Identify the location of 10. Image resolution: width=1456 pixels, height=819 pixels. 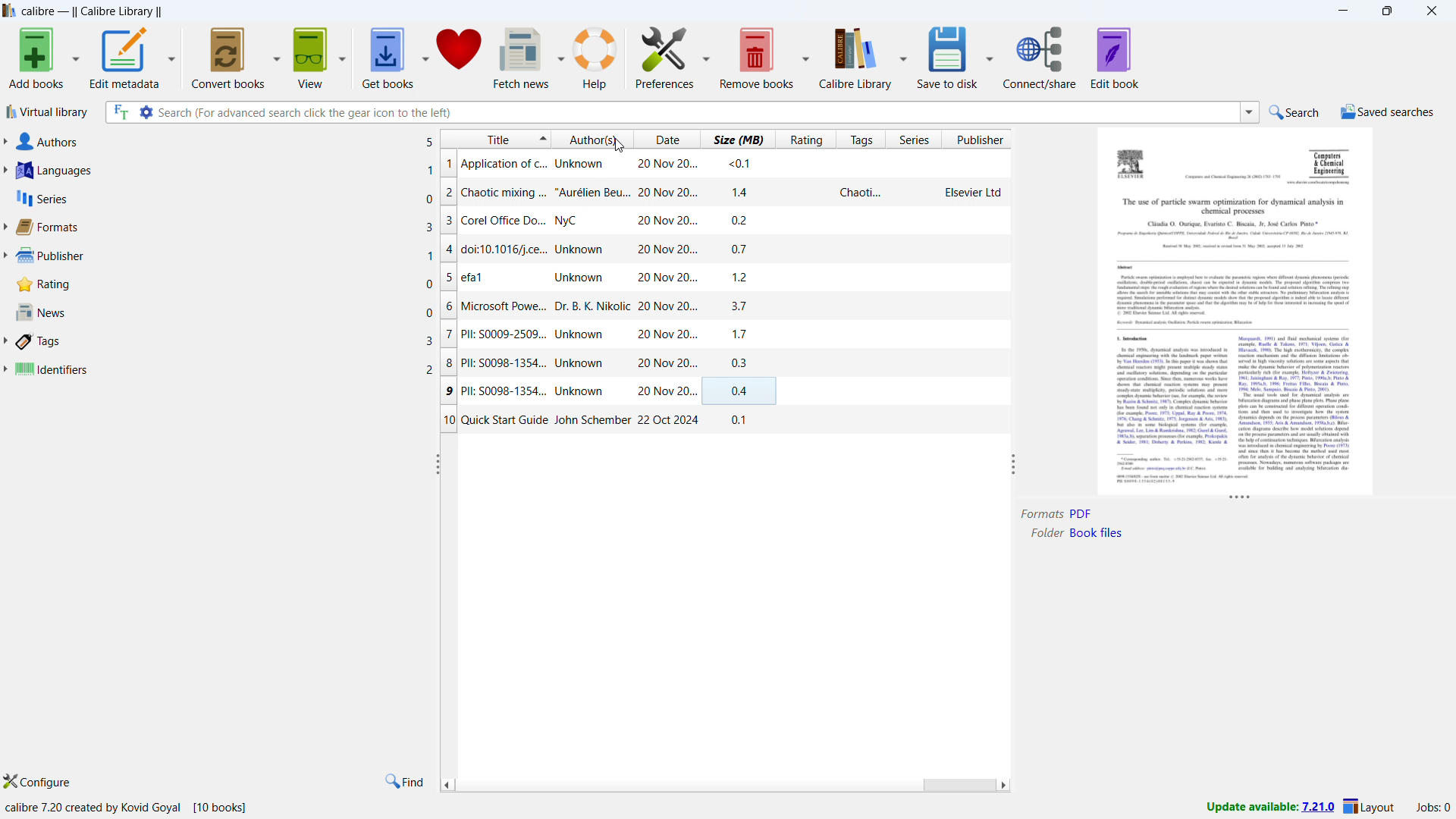
(447, 419).